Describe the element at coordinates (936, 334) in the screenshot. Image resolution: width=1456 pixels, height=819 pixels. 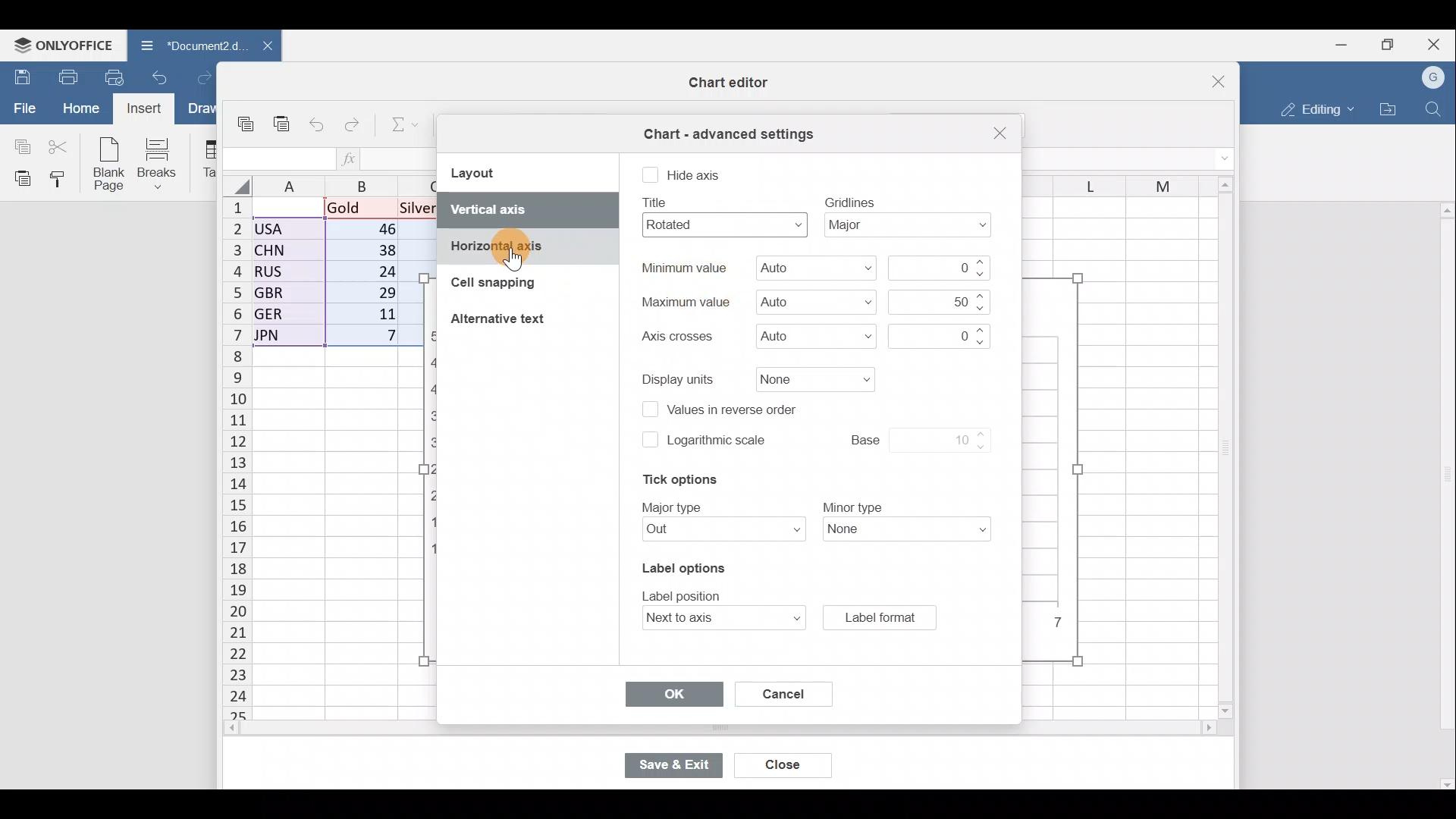
I see `Axis crosses value` at that location.